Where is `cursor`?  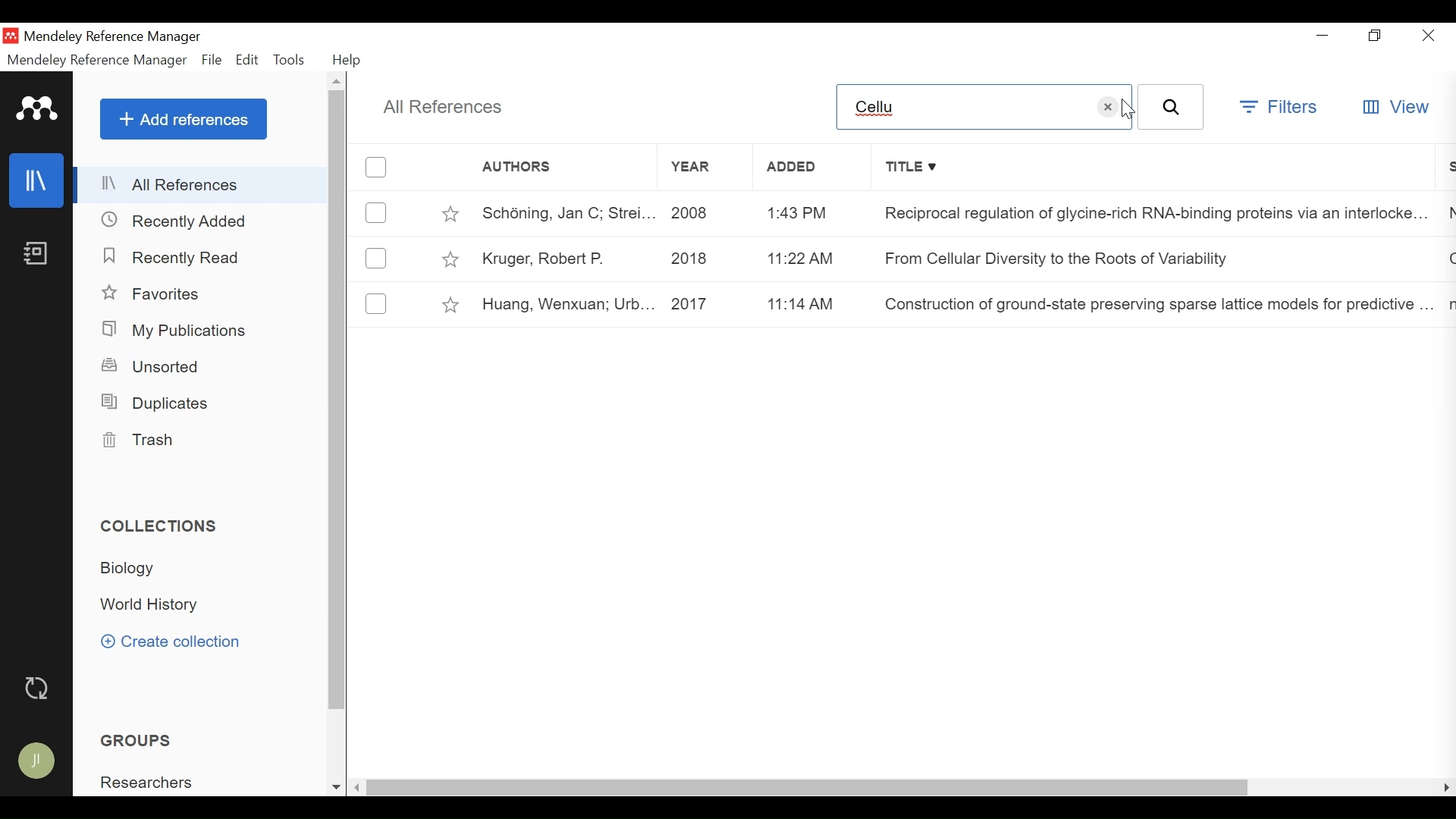 cursor is located at coordinates (1129, 108).